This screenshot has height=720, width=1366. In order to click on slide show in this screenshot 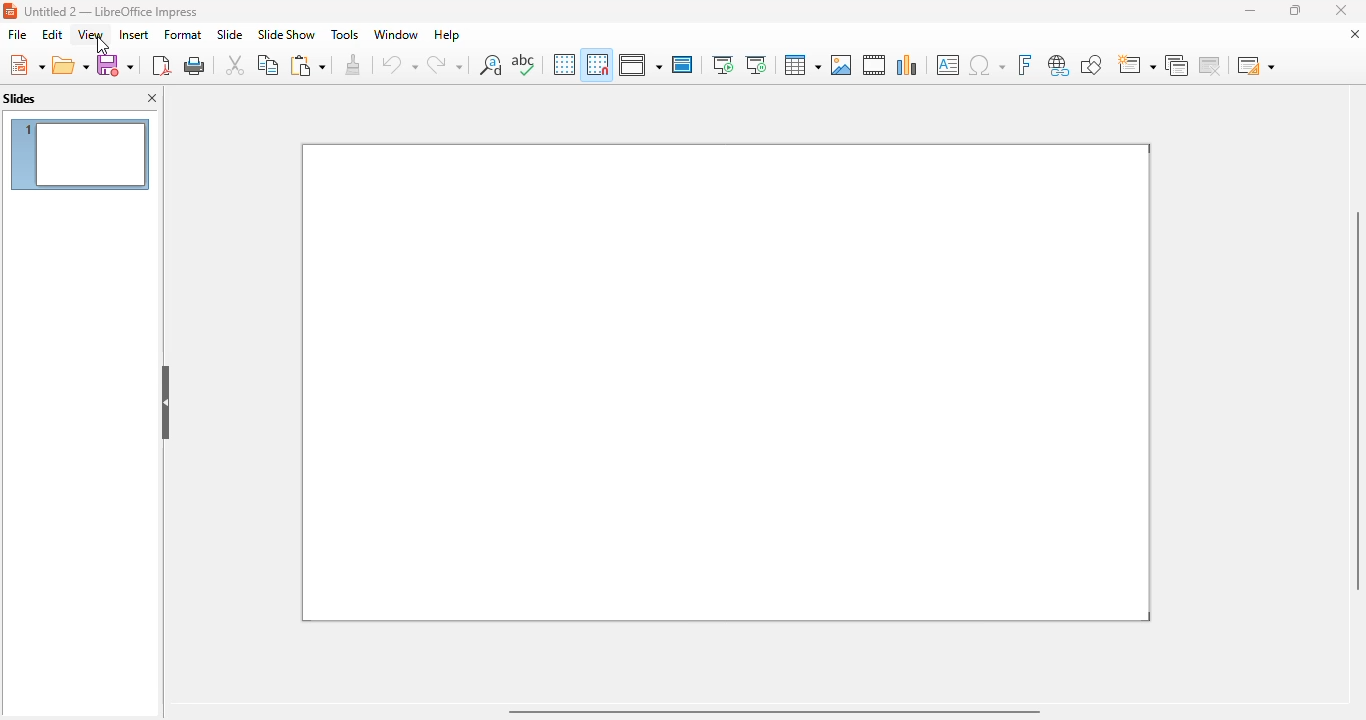, I will do `click(287, 34)`.